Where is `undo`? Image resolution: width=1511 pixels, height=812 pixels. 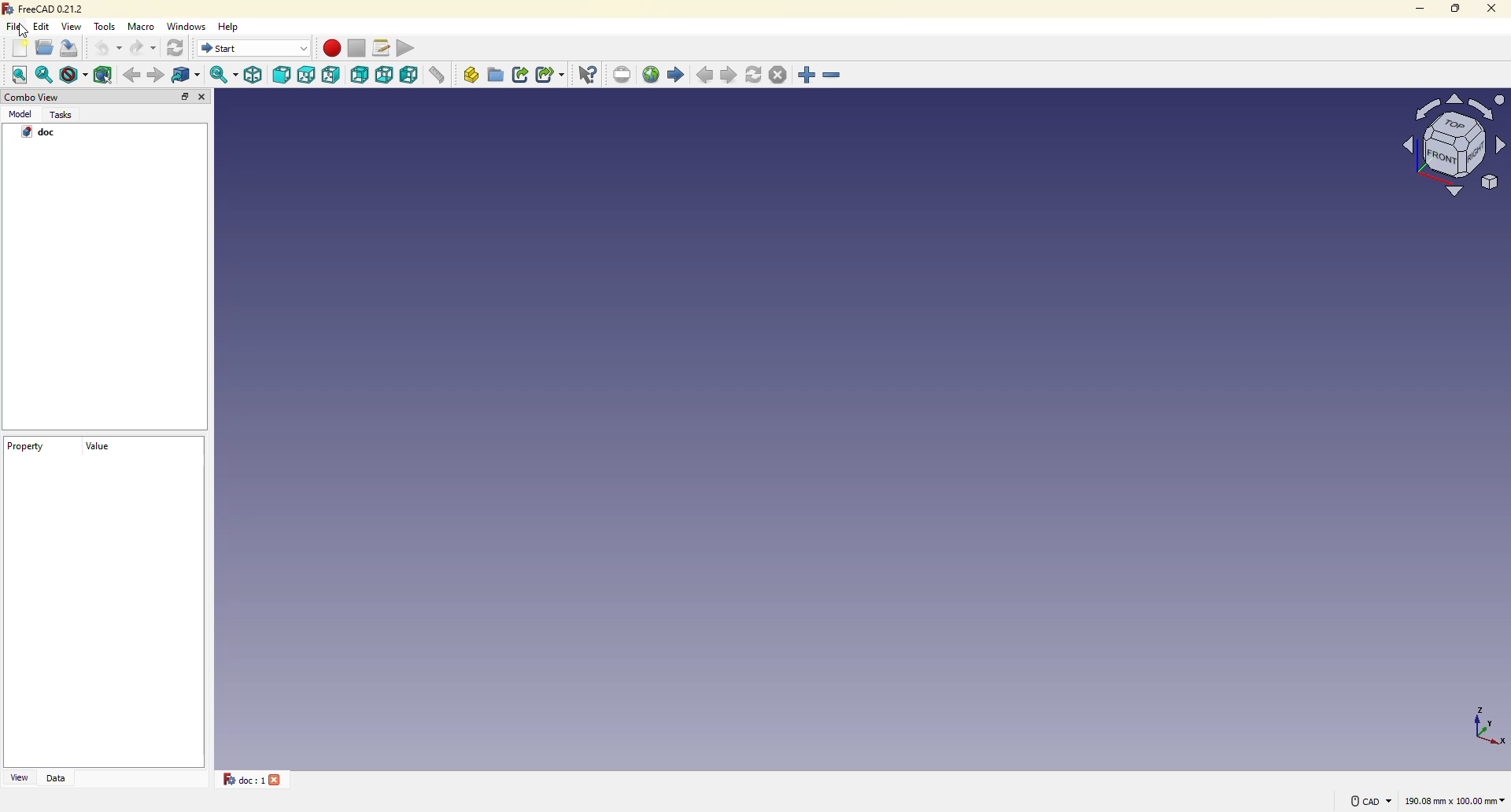 undo is located at coordinates (108, 49).